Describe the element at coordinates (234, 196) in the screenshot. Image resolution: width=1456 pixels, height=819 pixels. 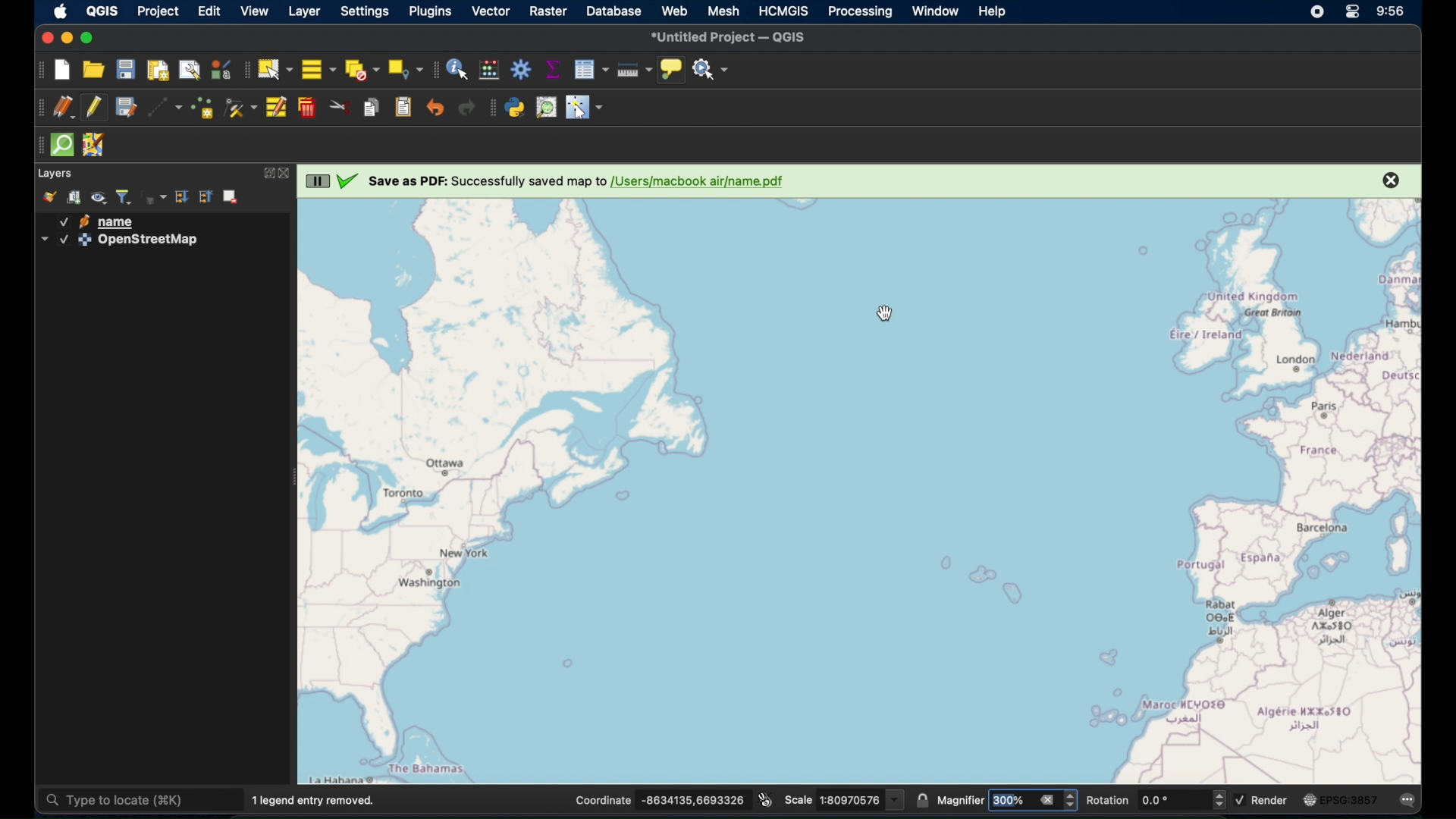
I see `remove layer/group` at that location.